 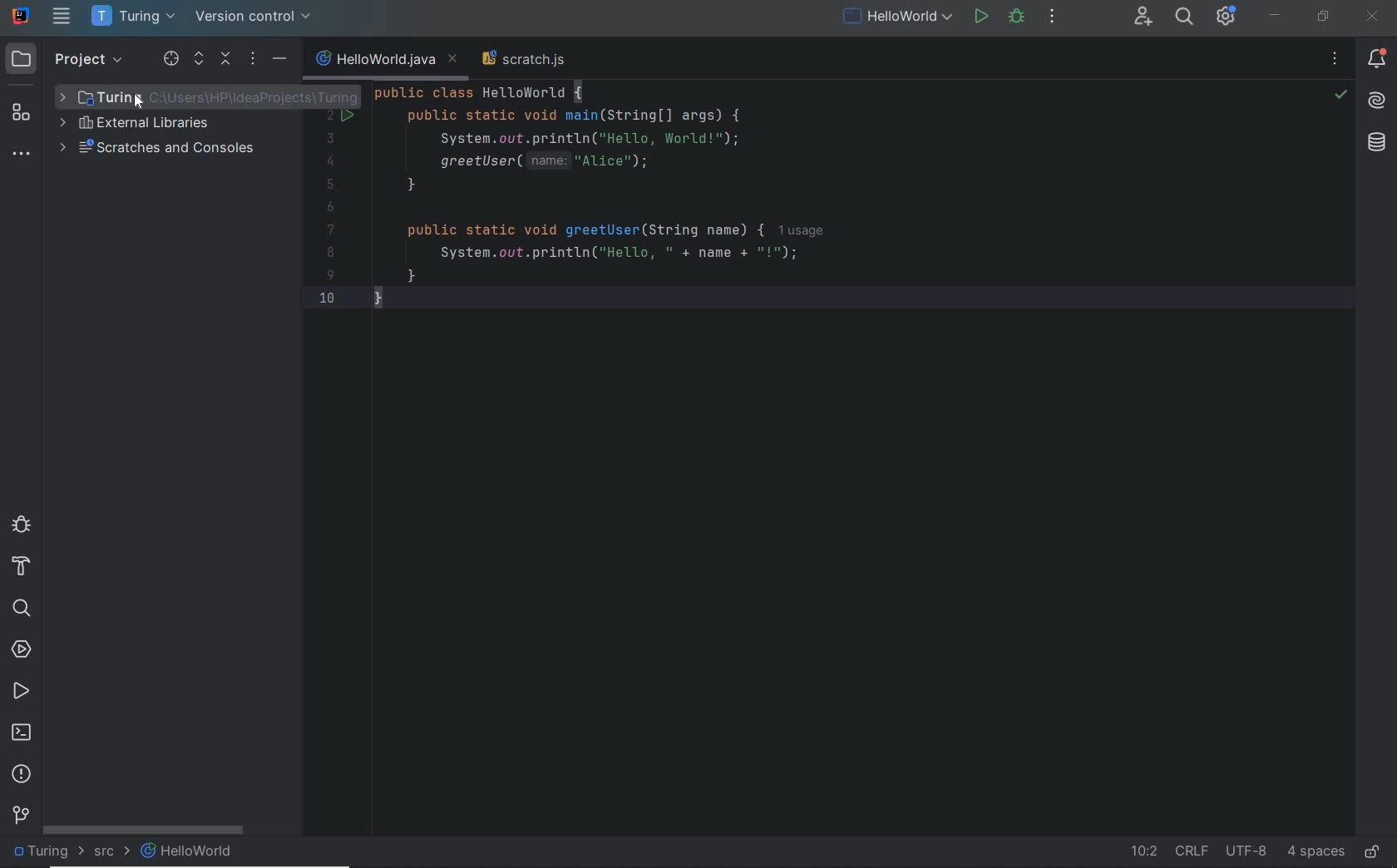 I want to click on CLOSE, so click(x=1374, y=17).